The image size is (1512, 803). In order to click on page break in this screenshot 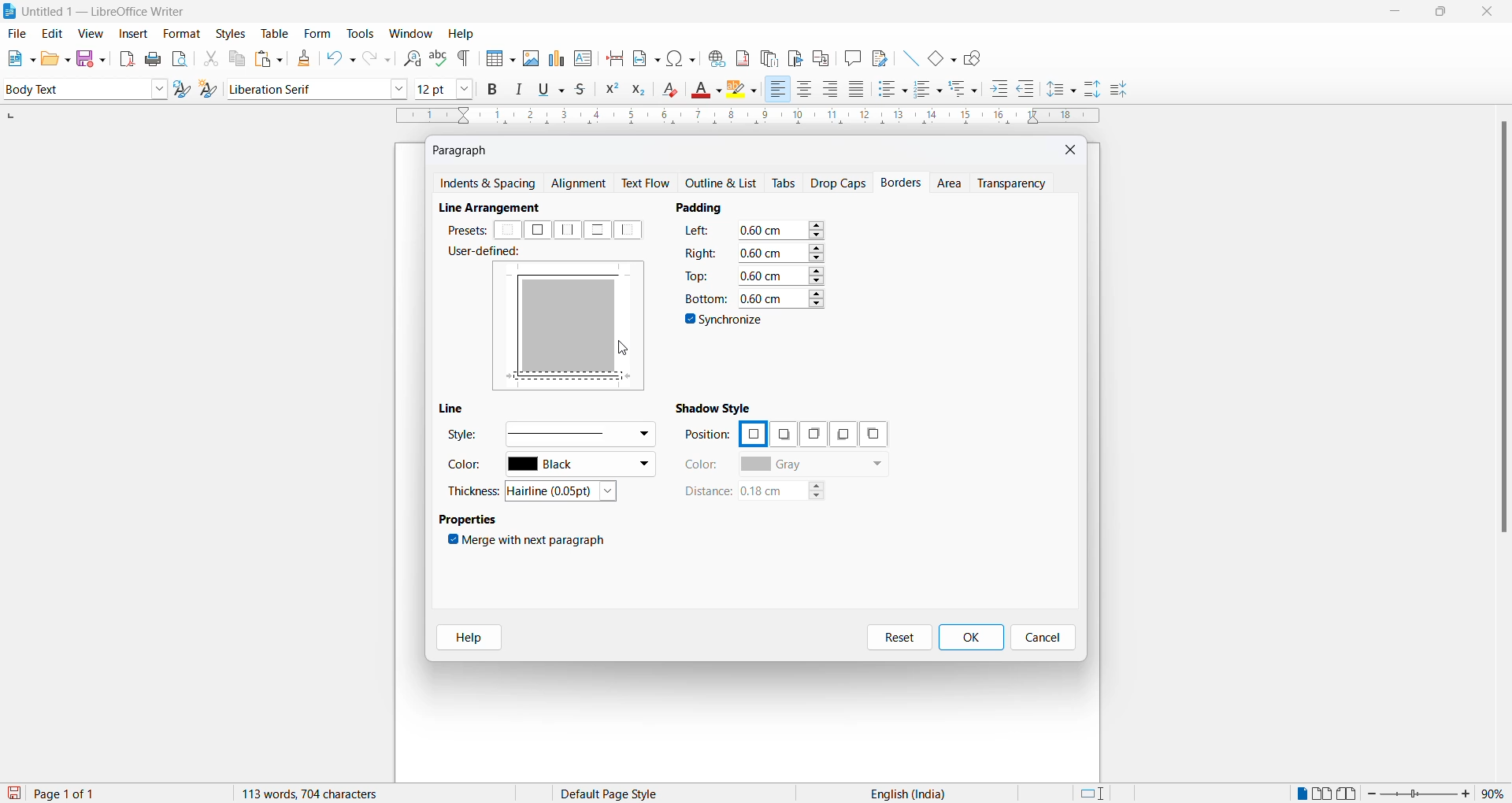, I will do `click(615, 57)`.